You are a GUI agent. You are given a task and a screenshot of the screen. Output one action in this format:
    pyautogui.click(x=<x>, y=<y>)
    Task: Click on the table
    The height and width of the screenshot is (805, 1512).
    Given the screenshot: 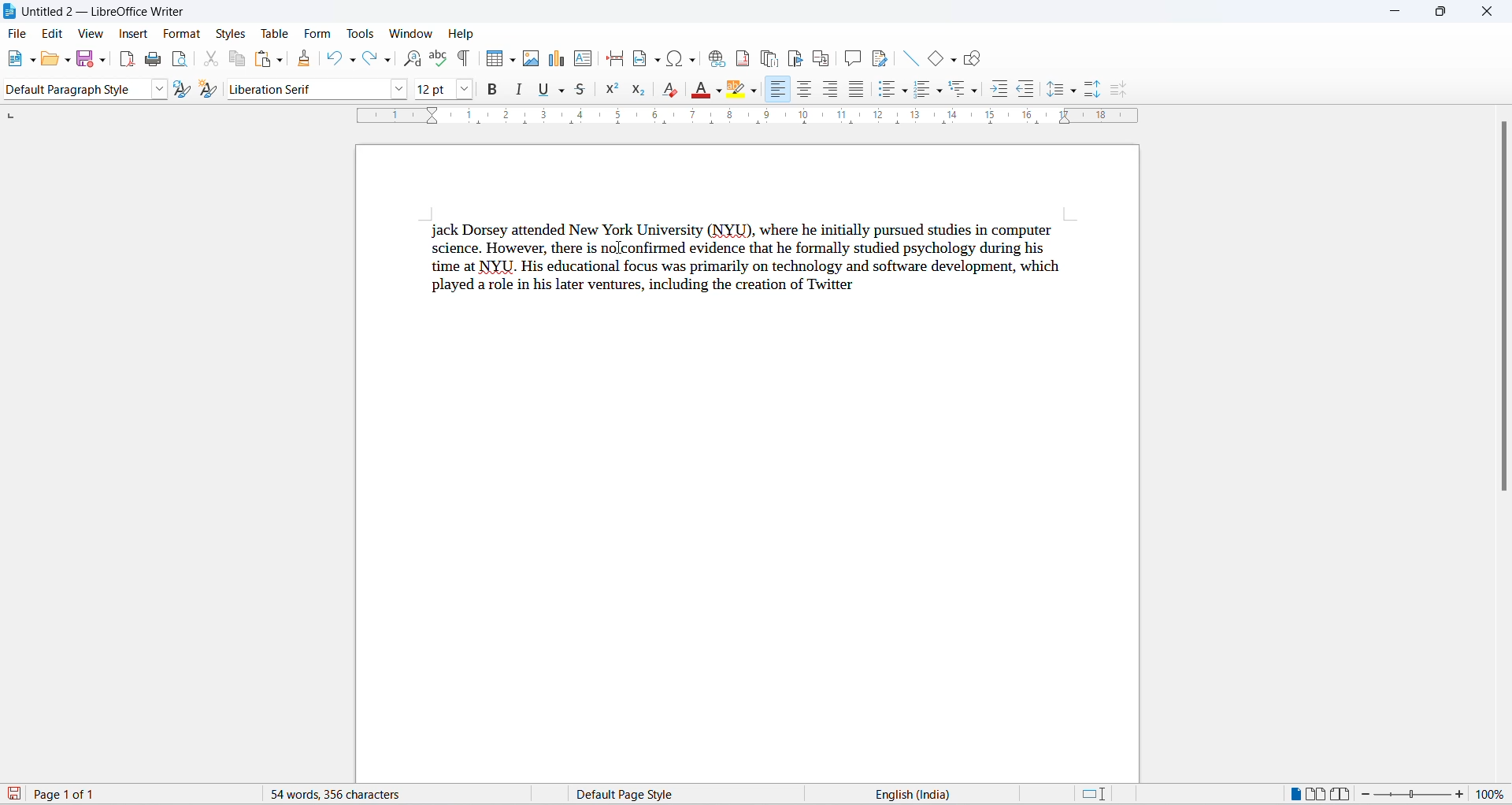 What is the action you would take?
    pyautogui.click(x=276, y=32)
    